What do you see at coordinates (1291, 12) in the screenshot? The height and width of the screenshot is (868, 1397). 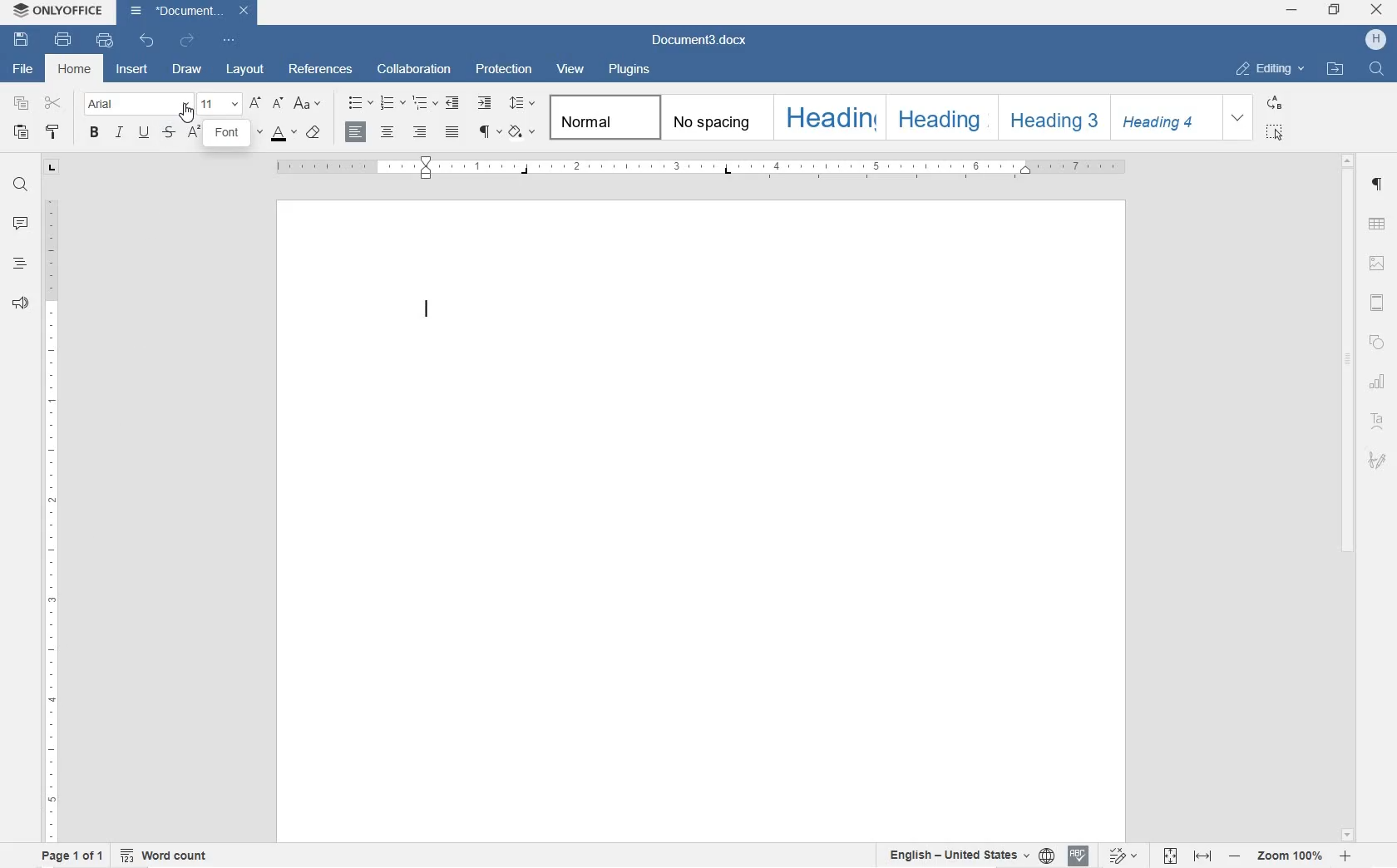 I see `minimize` at bounding box center [1291, 12].